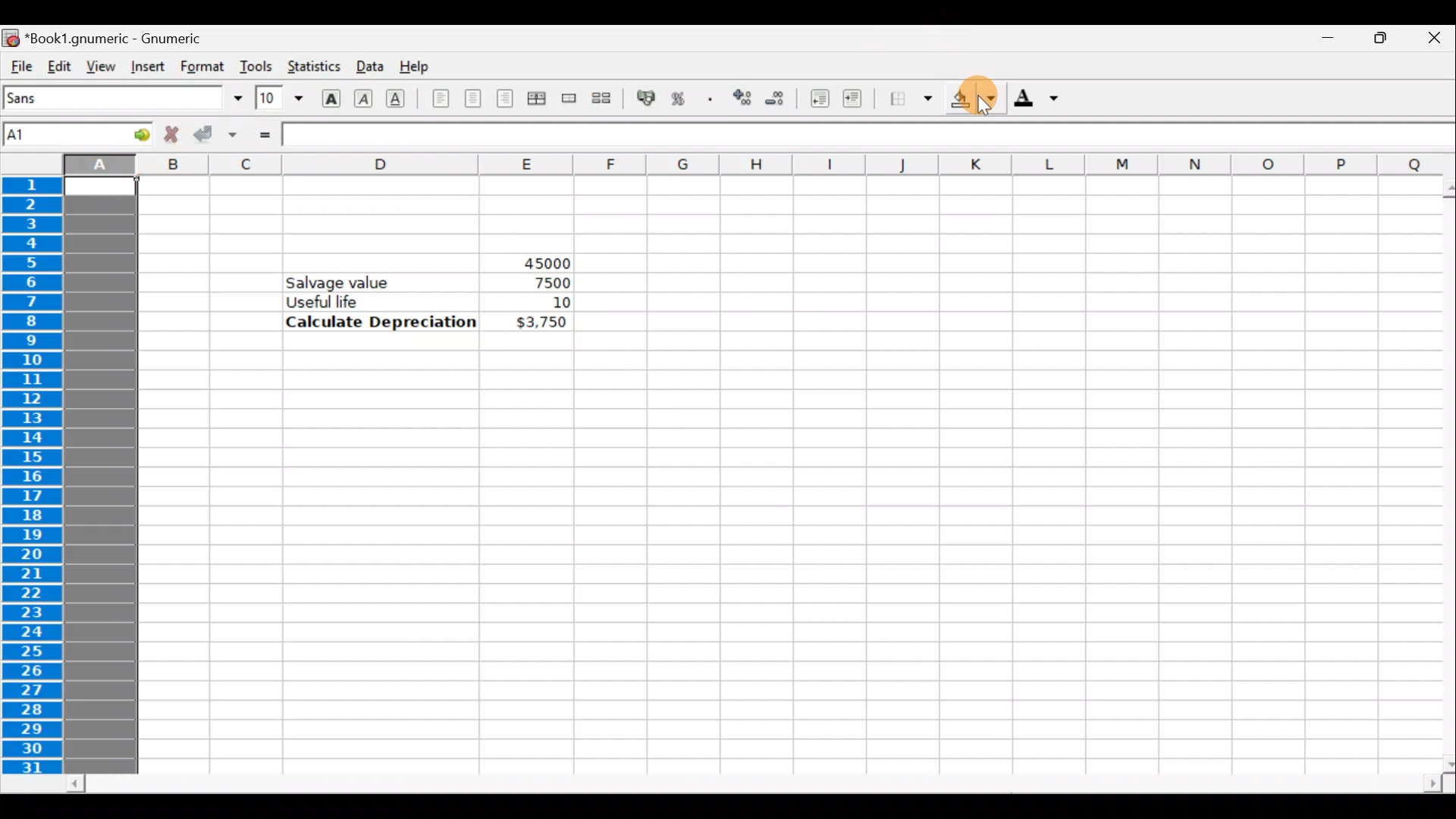 Image resolution: width=1456 pixels, height=819 pixels. Describe the element at coordinates (256, 66) in the screenshot. I see `Tools` at that location.